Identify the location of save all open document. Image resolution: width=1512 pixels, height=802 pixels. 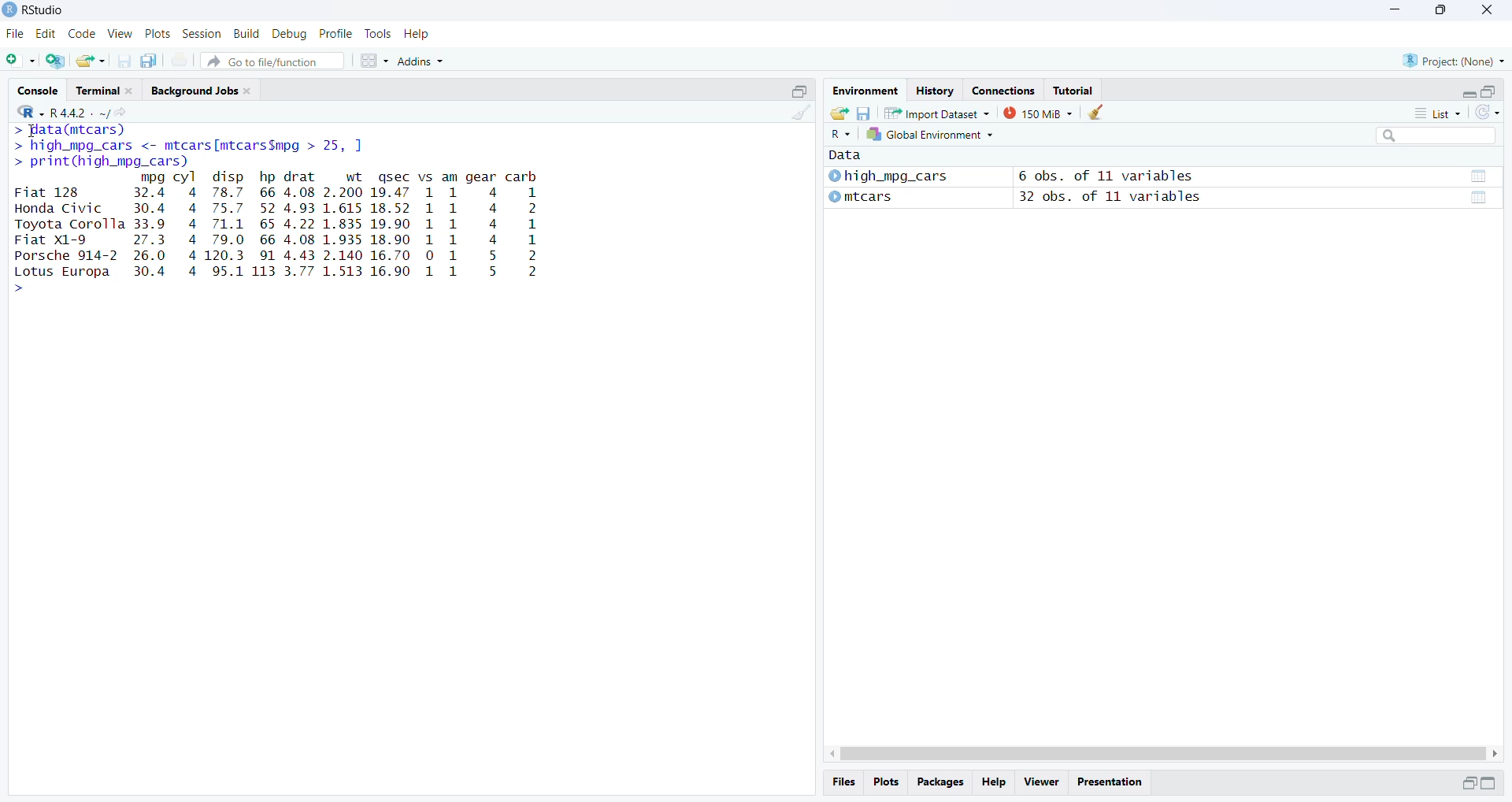
(151, 61).